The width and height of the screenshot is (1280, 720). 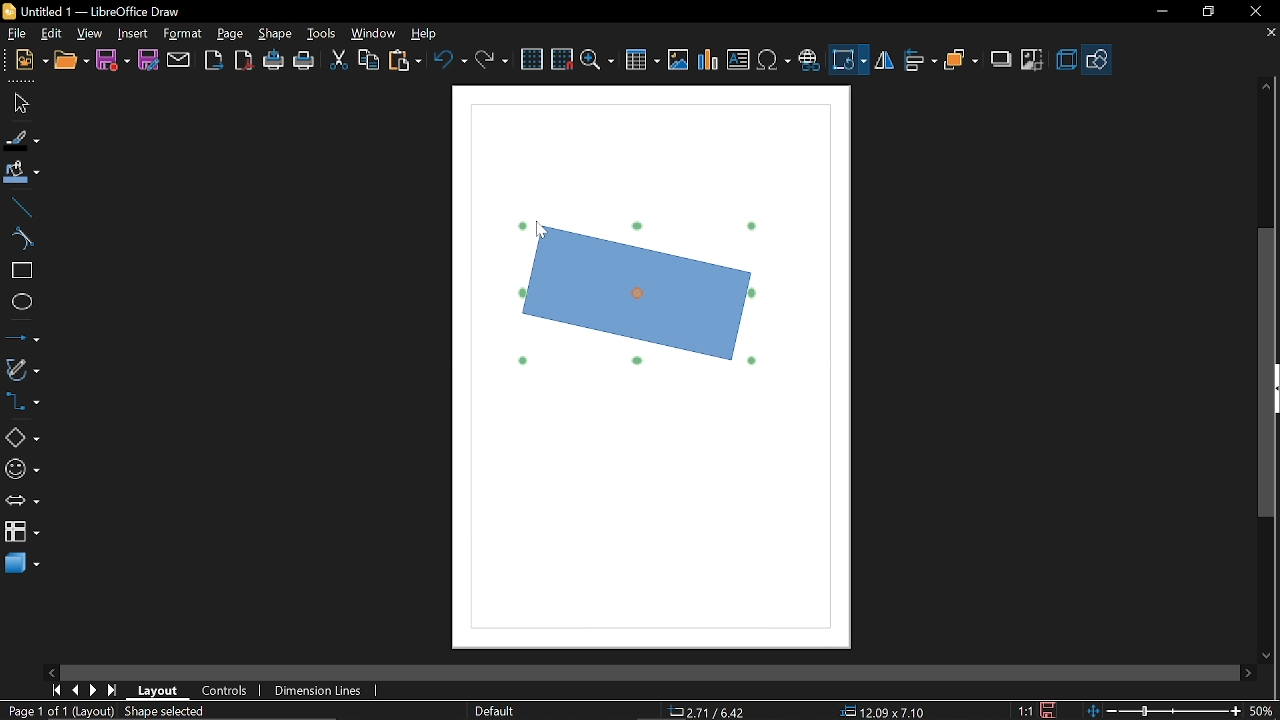 What do you see at coordinates (424, 35) in the screenshot?
I see `help` at bounding box center [424, 35].